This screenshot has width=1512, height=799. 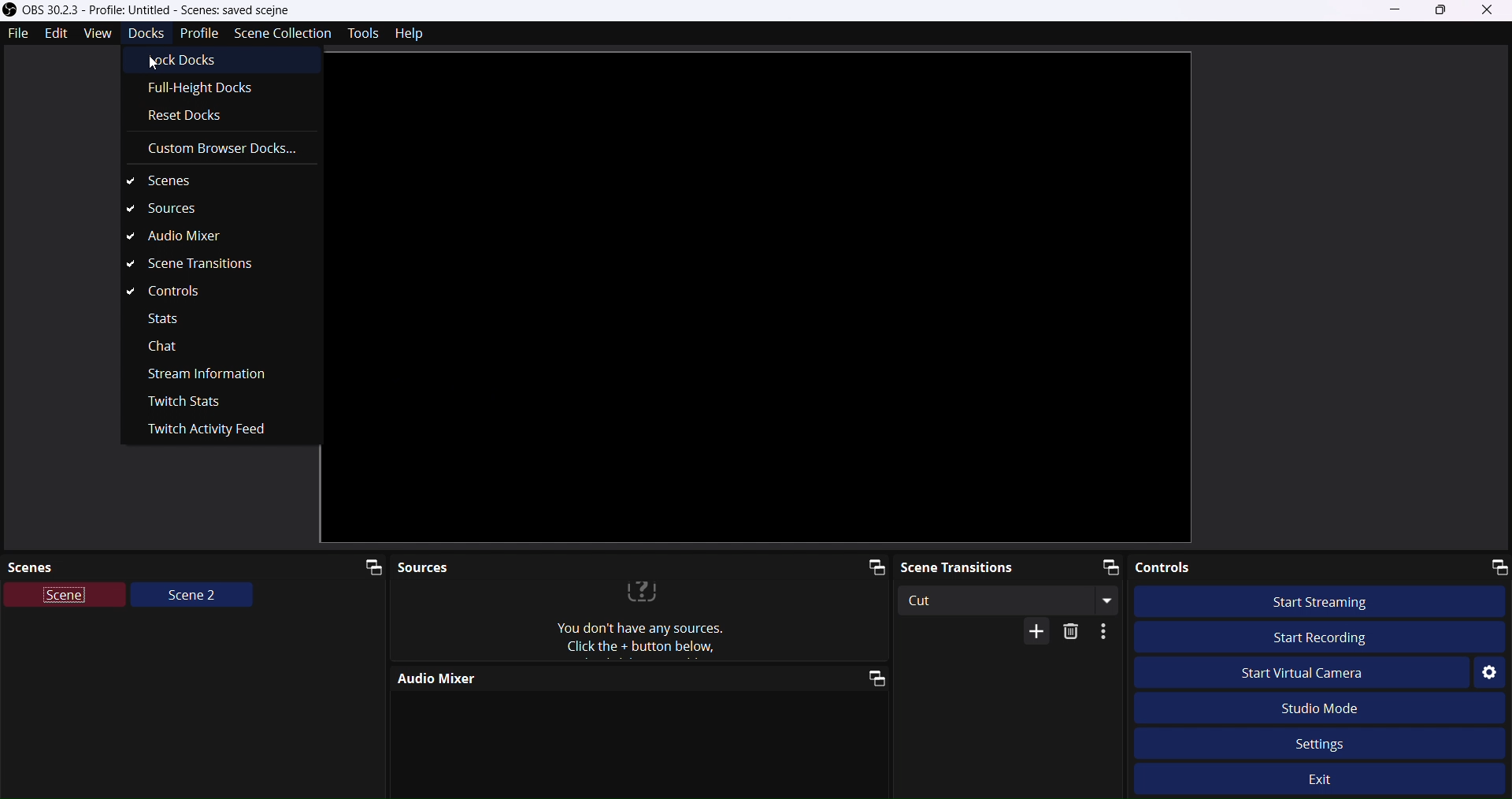 What do you see at coordinates (220, 148) in the screenshot?
I see `Custom Browser docks` at bounding box center [220, 148].